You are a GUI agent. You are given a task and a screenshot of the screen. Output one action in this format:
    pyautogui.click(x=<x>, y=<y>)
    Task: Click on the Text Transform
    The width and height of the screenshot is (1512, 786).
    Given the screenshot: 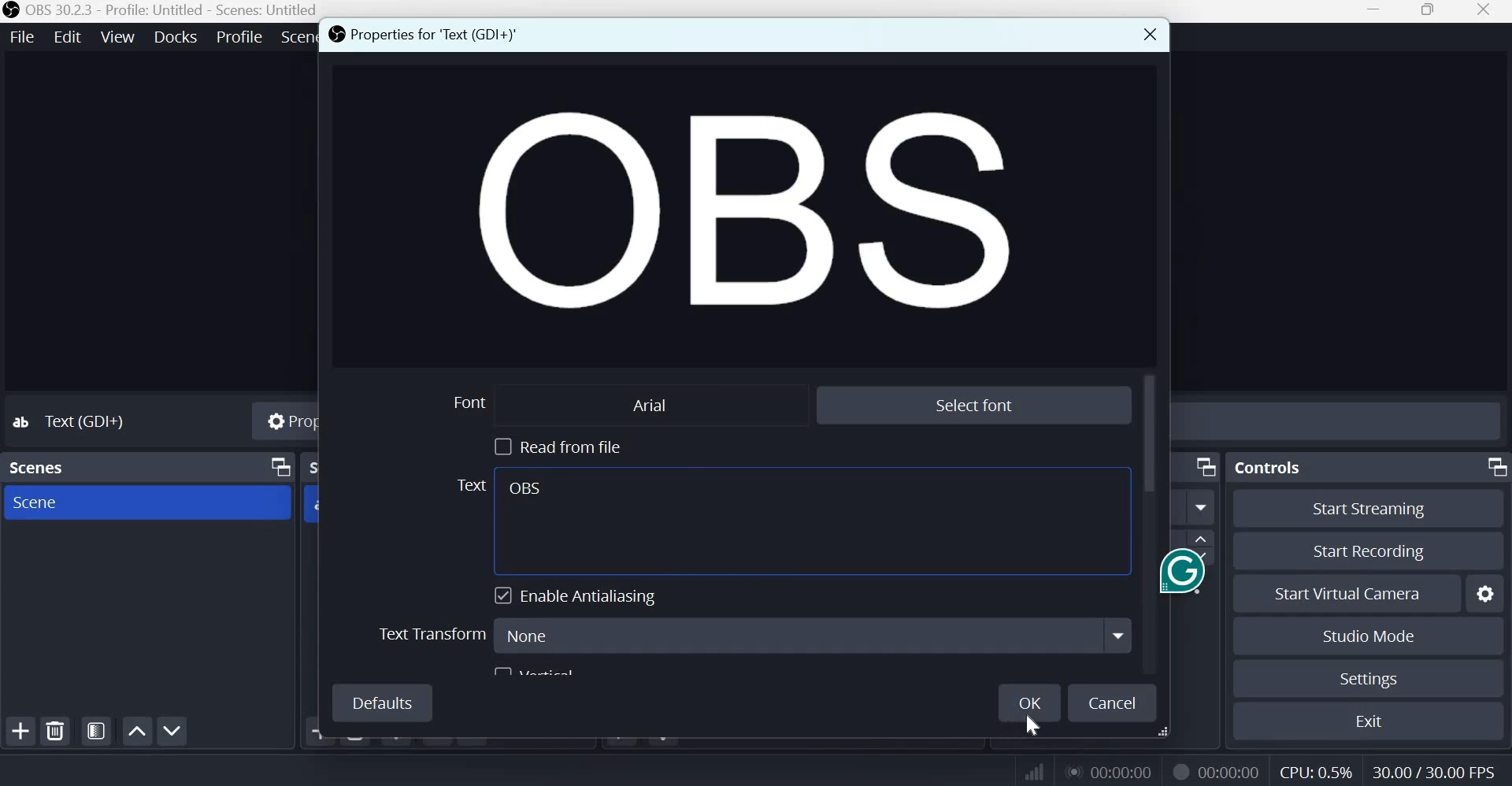 What is the action you would take?
    pyautogui.click(x=431, y=633)
    